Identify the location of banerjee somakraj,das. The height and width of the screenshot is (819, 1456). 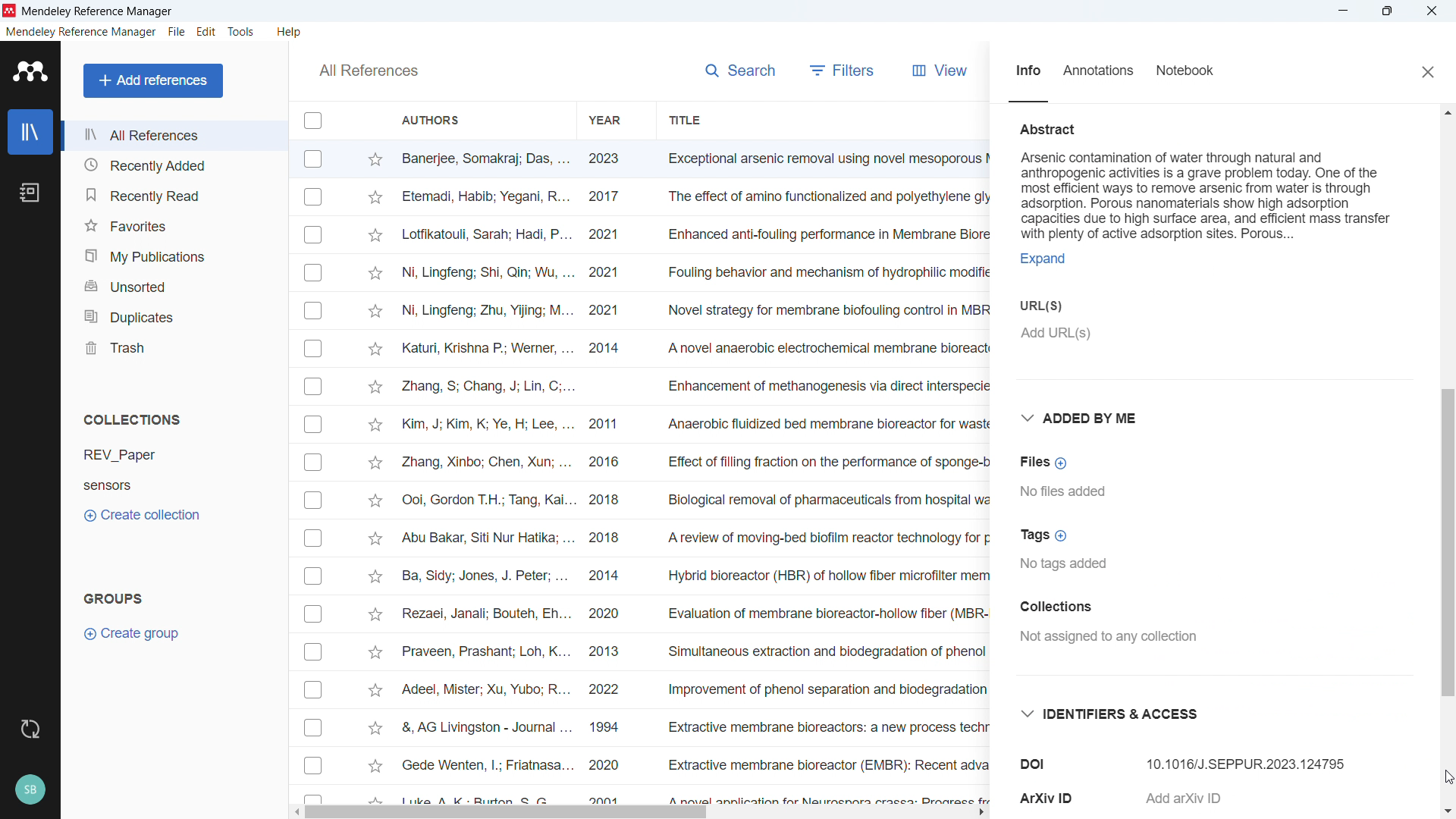
(485, 158).